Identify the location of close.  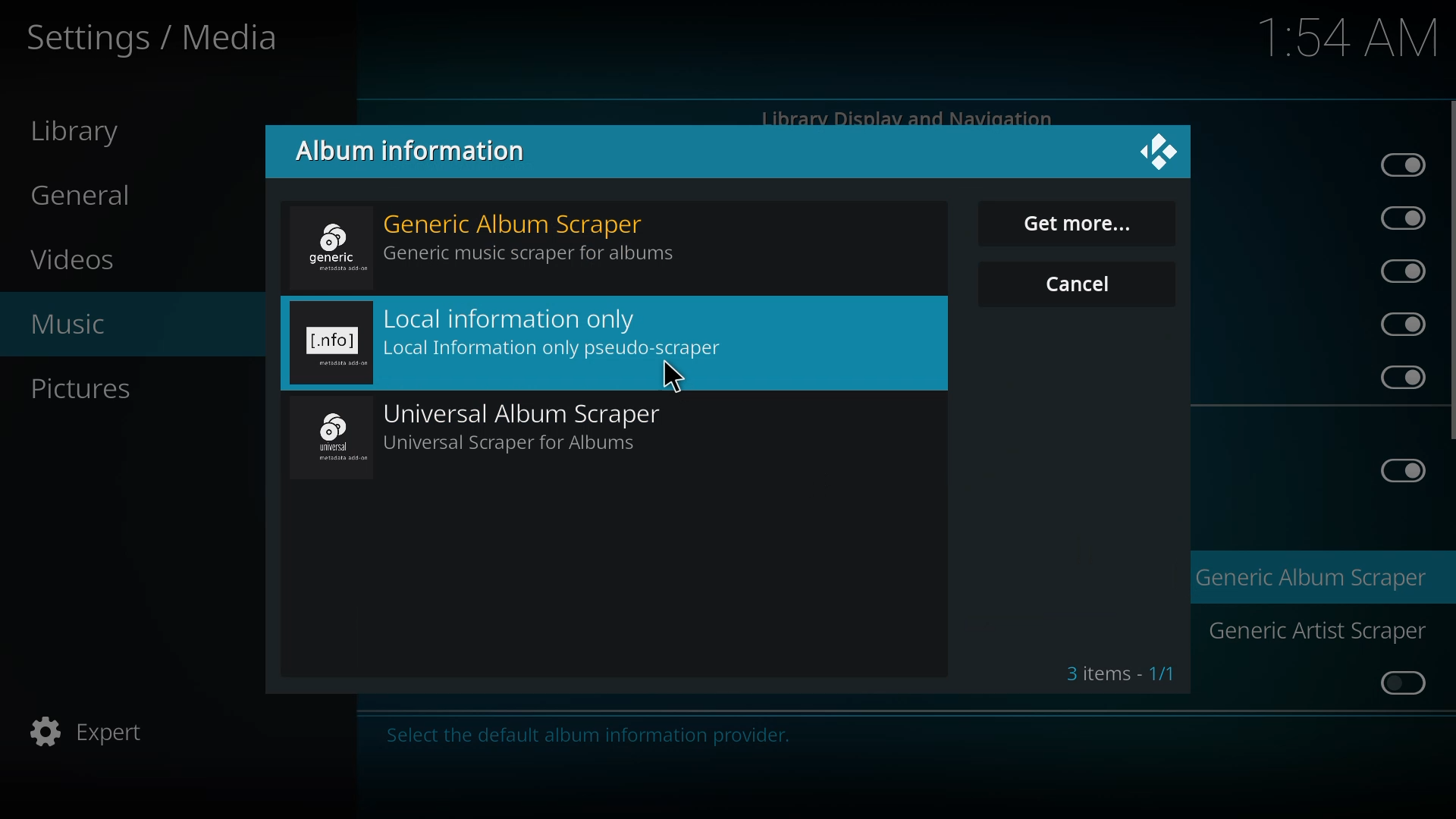
(1161, 150).